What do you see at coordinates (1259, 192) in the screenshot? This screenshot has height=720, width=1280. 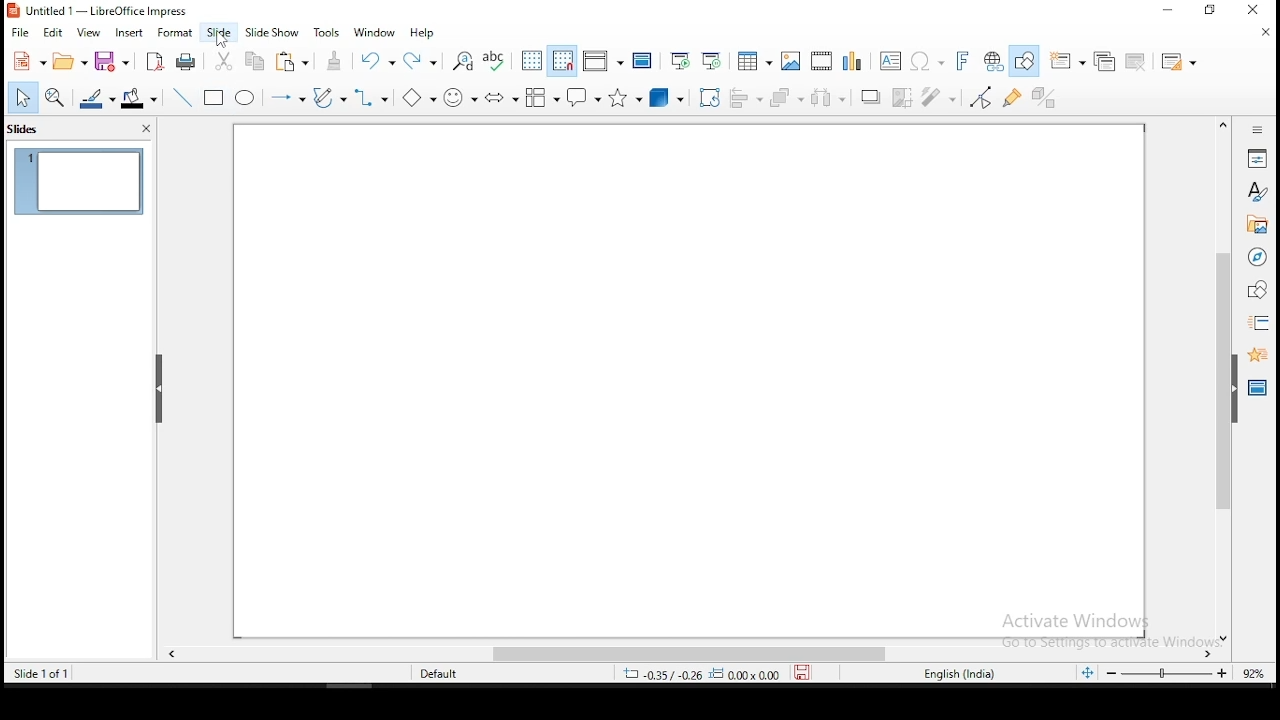 I see `styles` at bounding box center [1259, 192].